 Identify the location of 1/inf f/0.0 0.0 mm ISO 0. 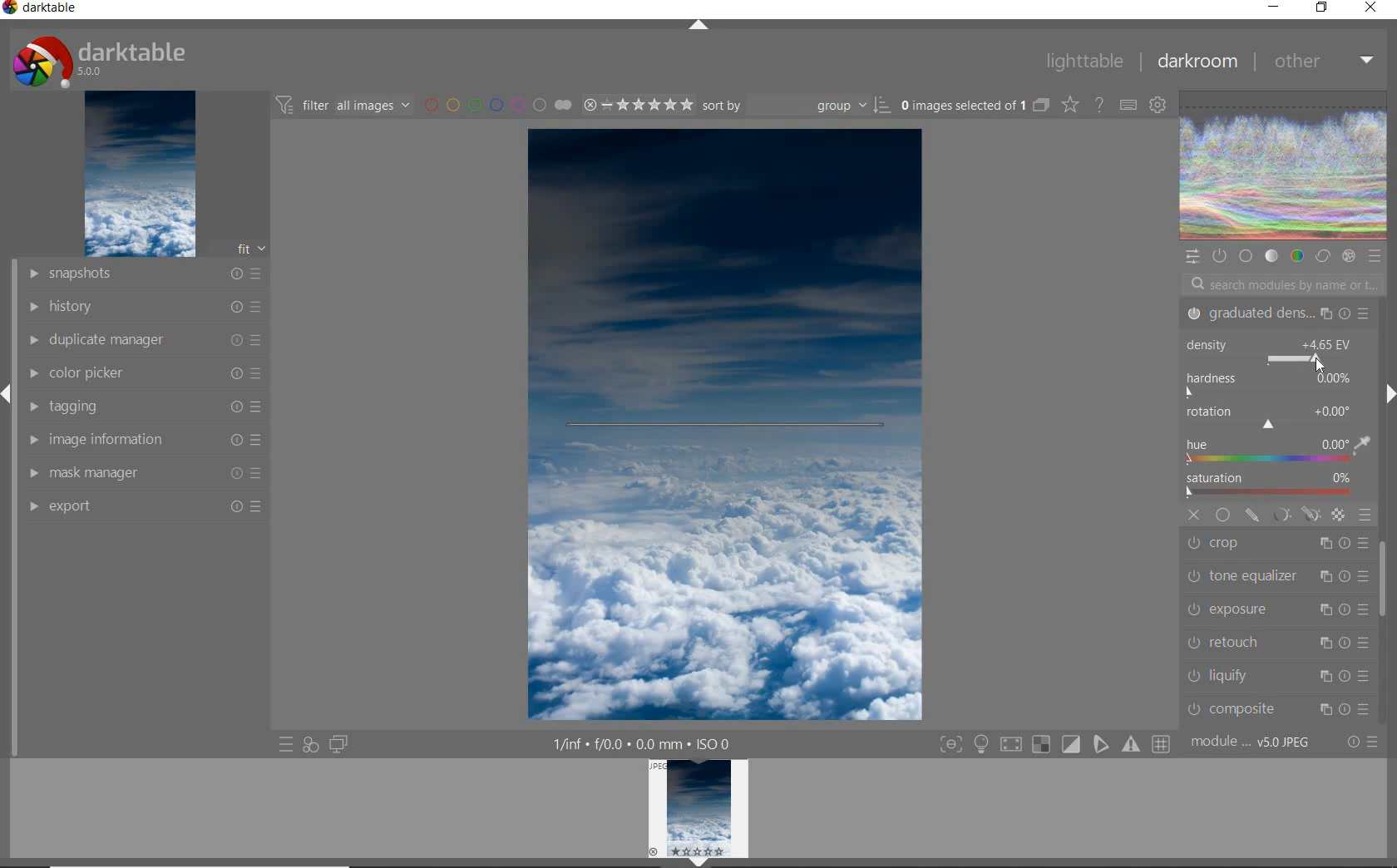
(645, 742).